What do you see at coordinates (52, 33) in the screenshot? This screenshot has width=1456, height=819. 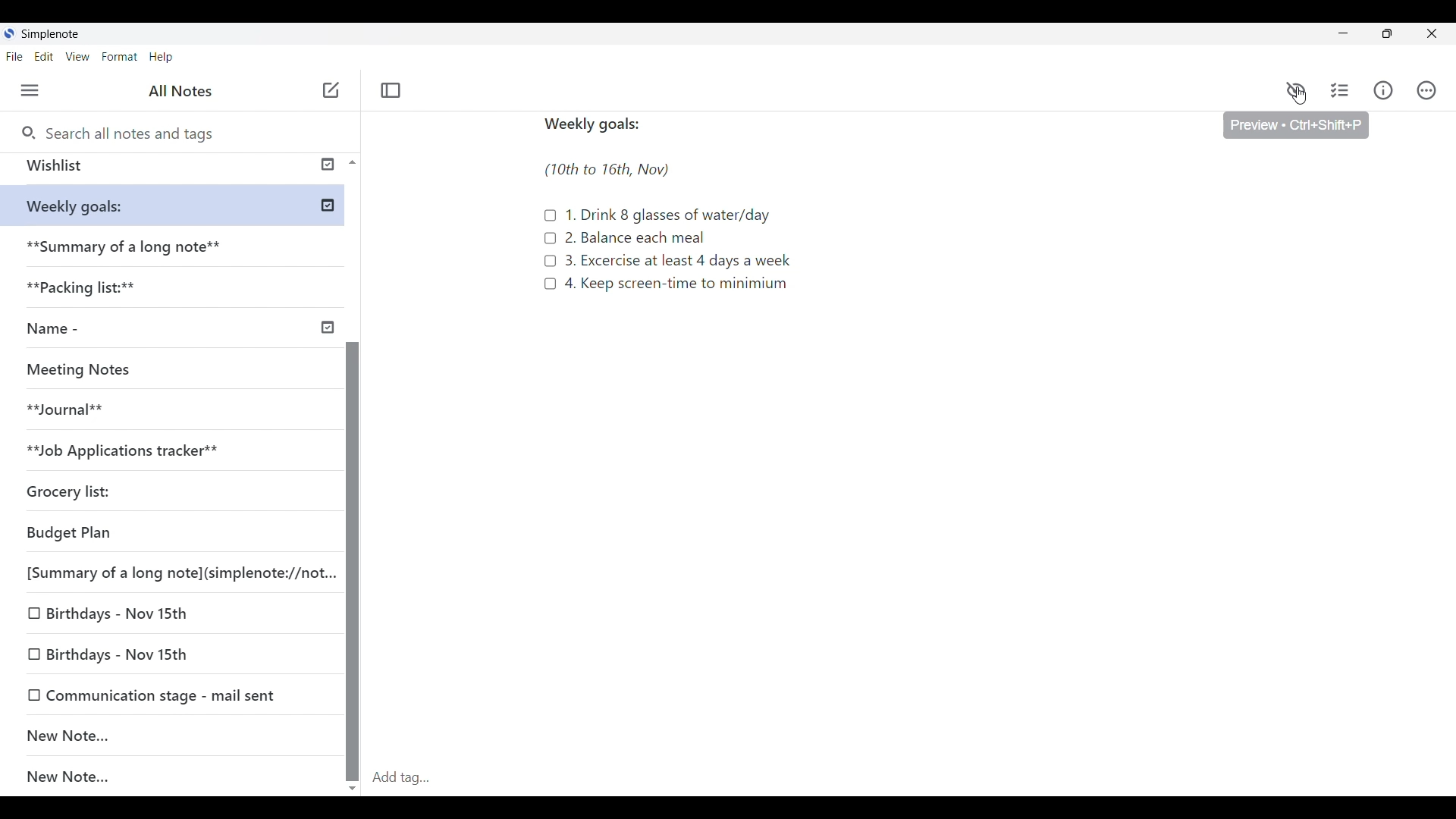 I see `Simple note` at bounding box center [52, 33].